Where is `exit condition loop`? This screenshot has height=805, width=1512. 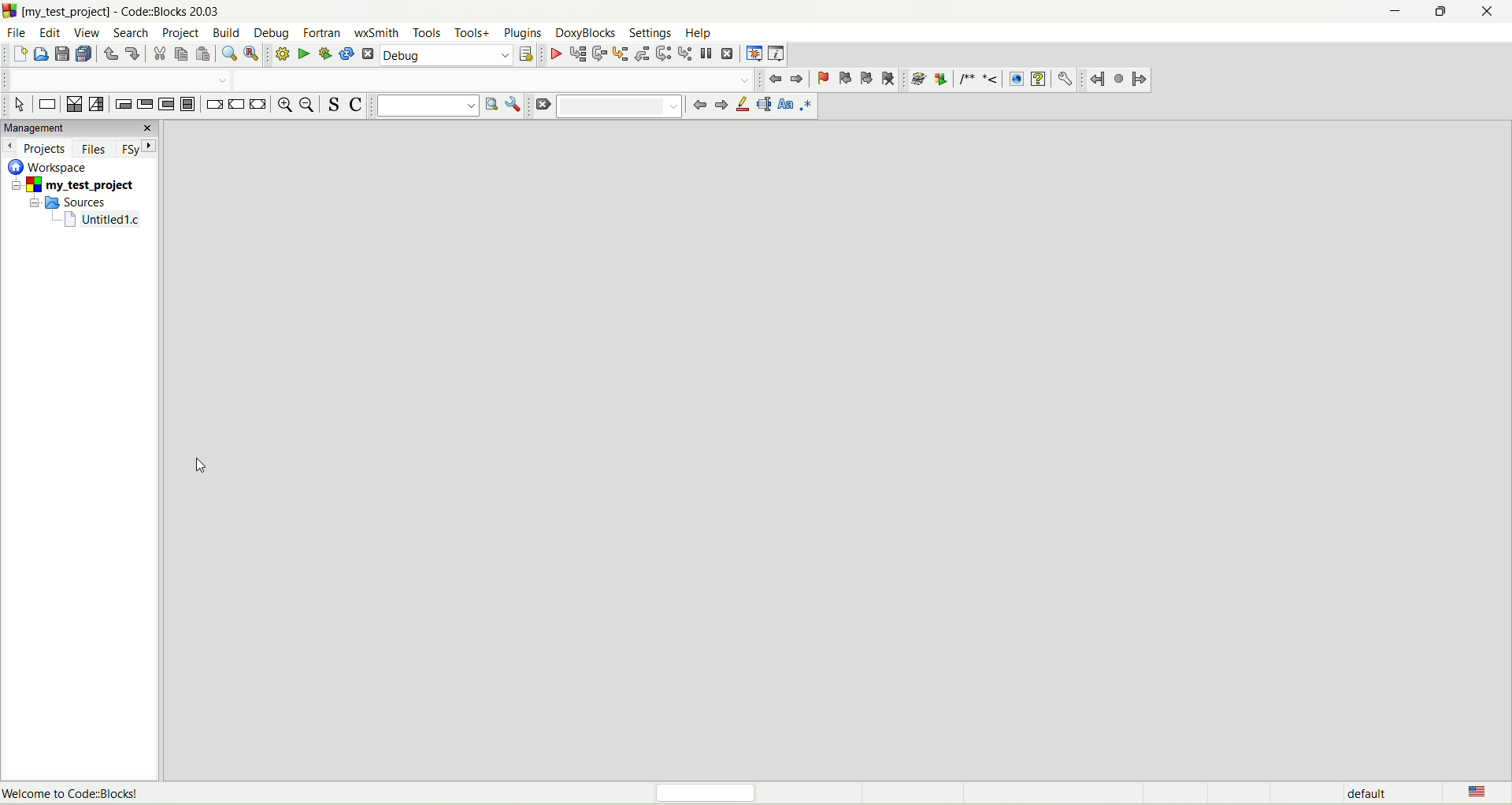
exit condition loop is located at coordinates (145, 103).